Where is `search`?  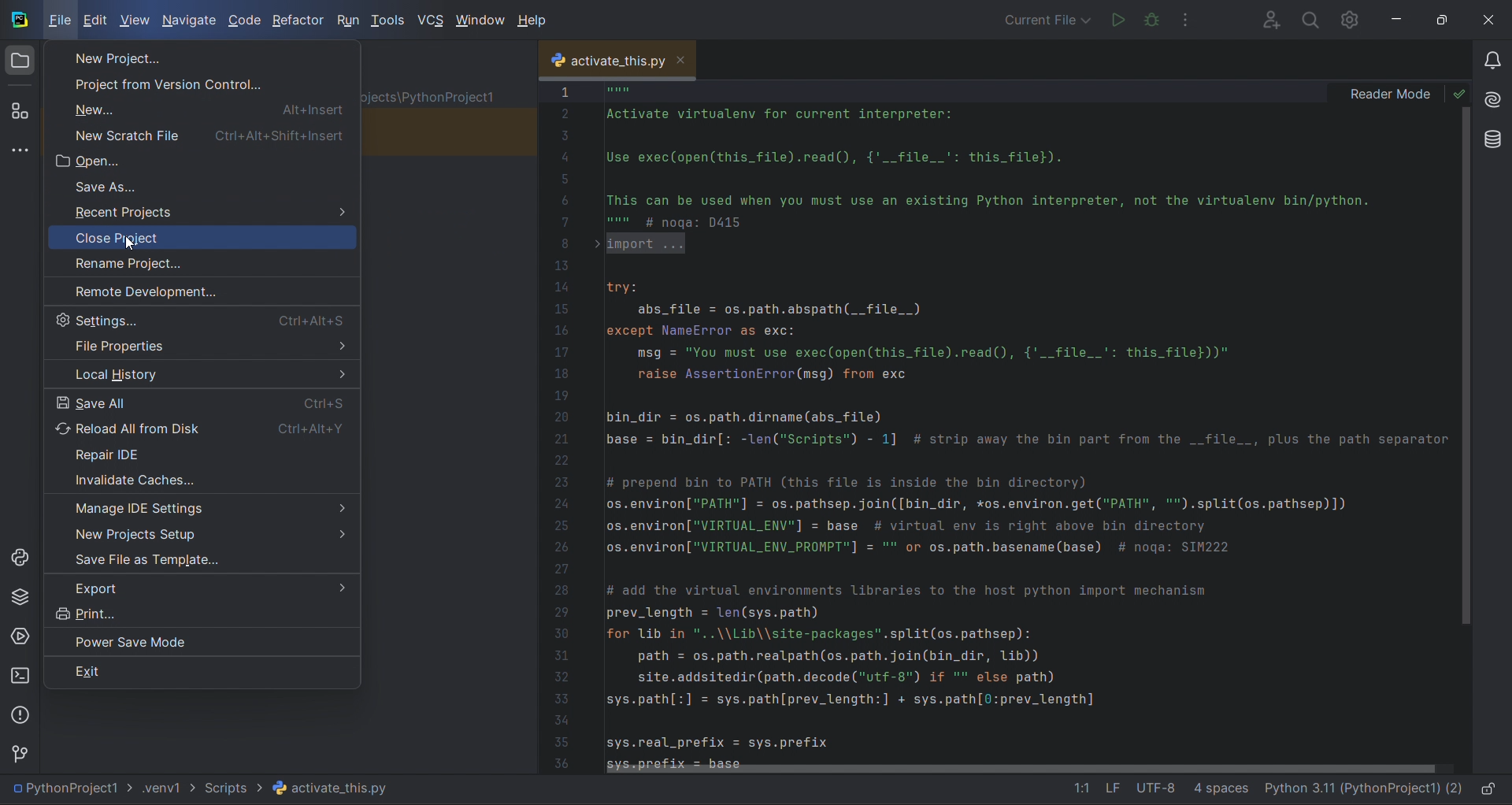
search is located at coordinates (1309, 20).